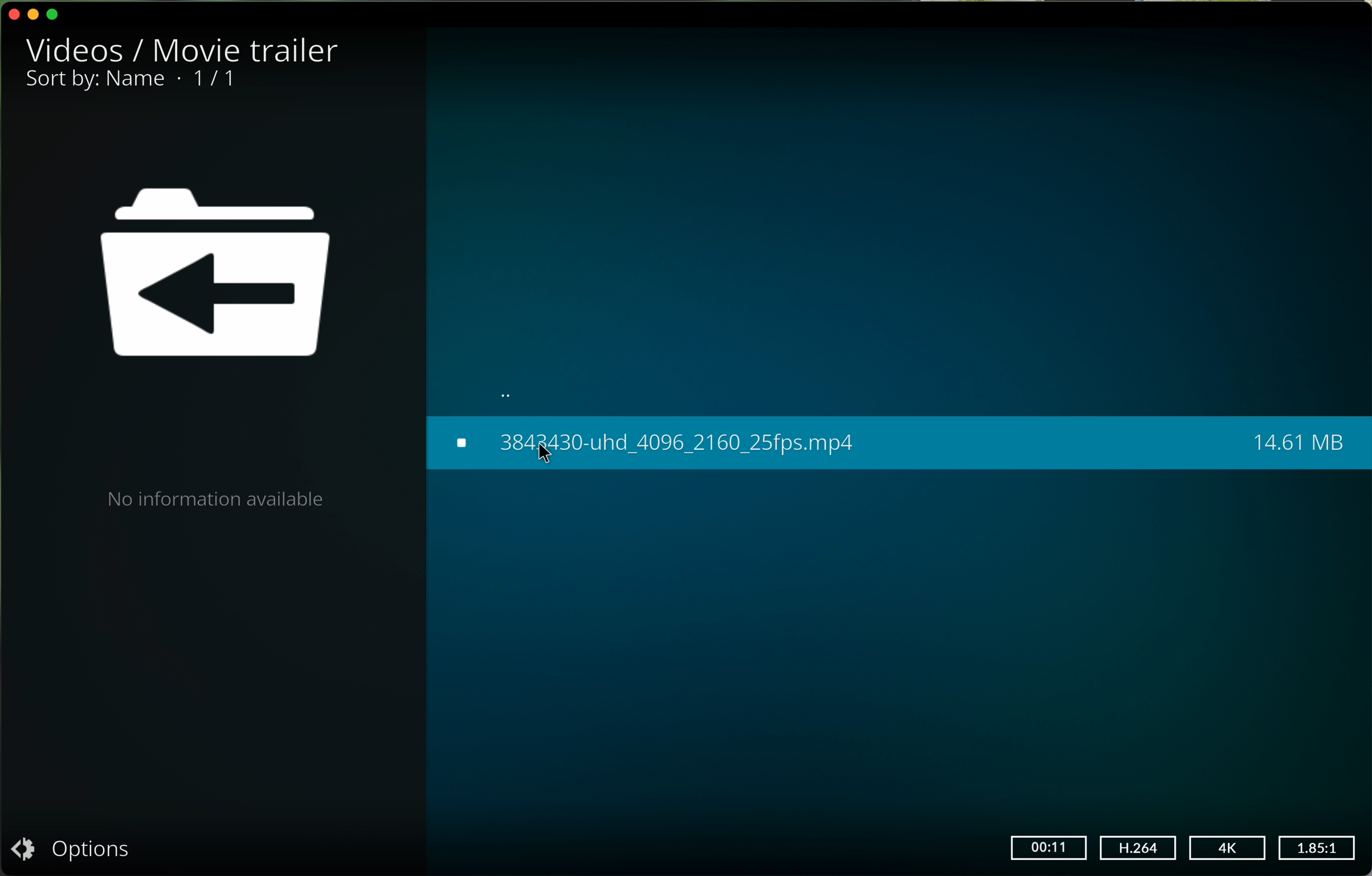 This screenshot has height=876, width=1372. What do you see at coordinates (77, 44) in the screenshot?
I see `Videos` at bounding box center [77, 44].